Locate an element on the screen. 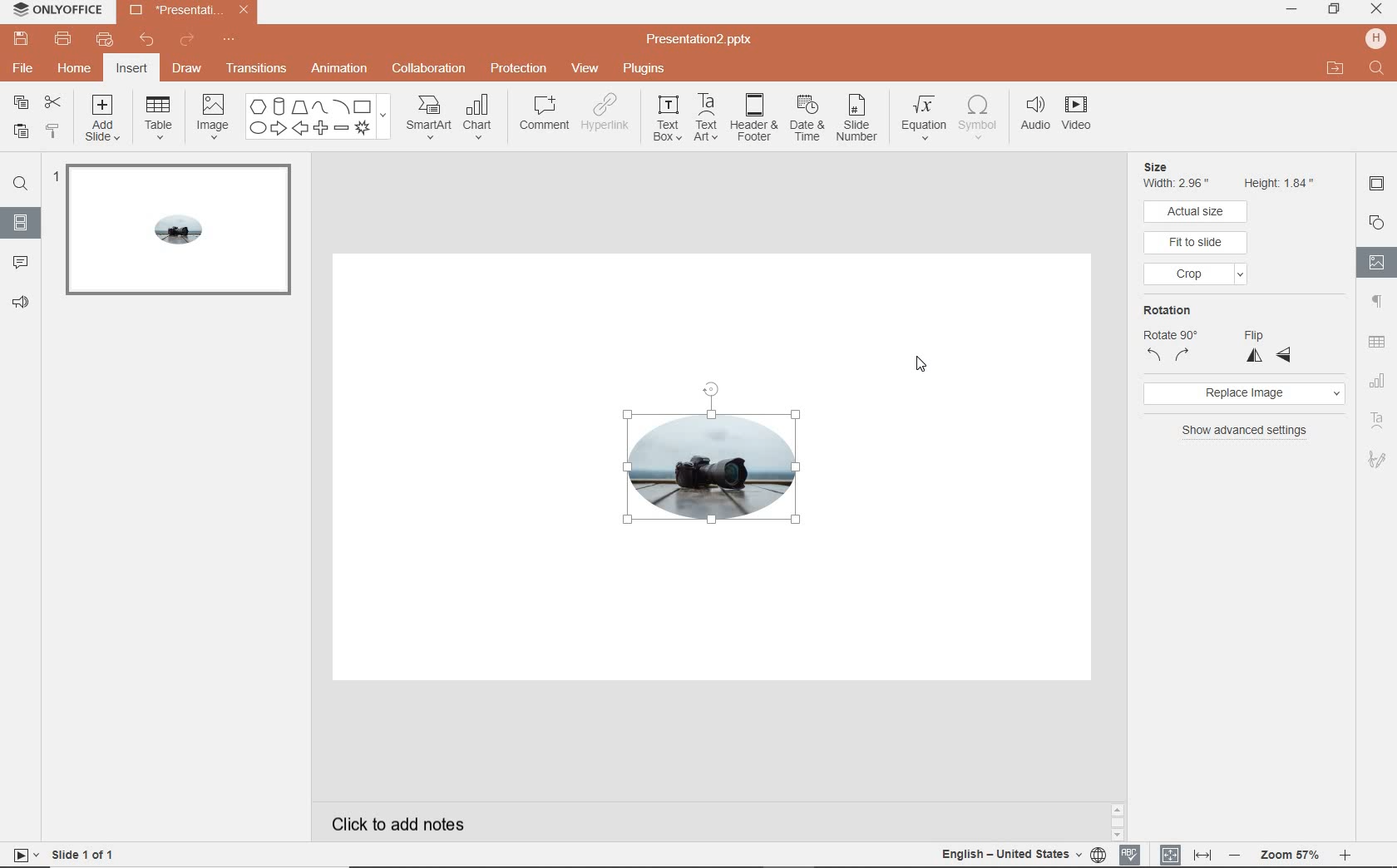  redo is located at coordinates (189, 42).